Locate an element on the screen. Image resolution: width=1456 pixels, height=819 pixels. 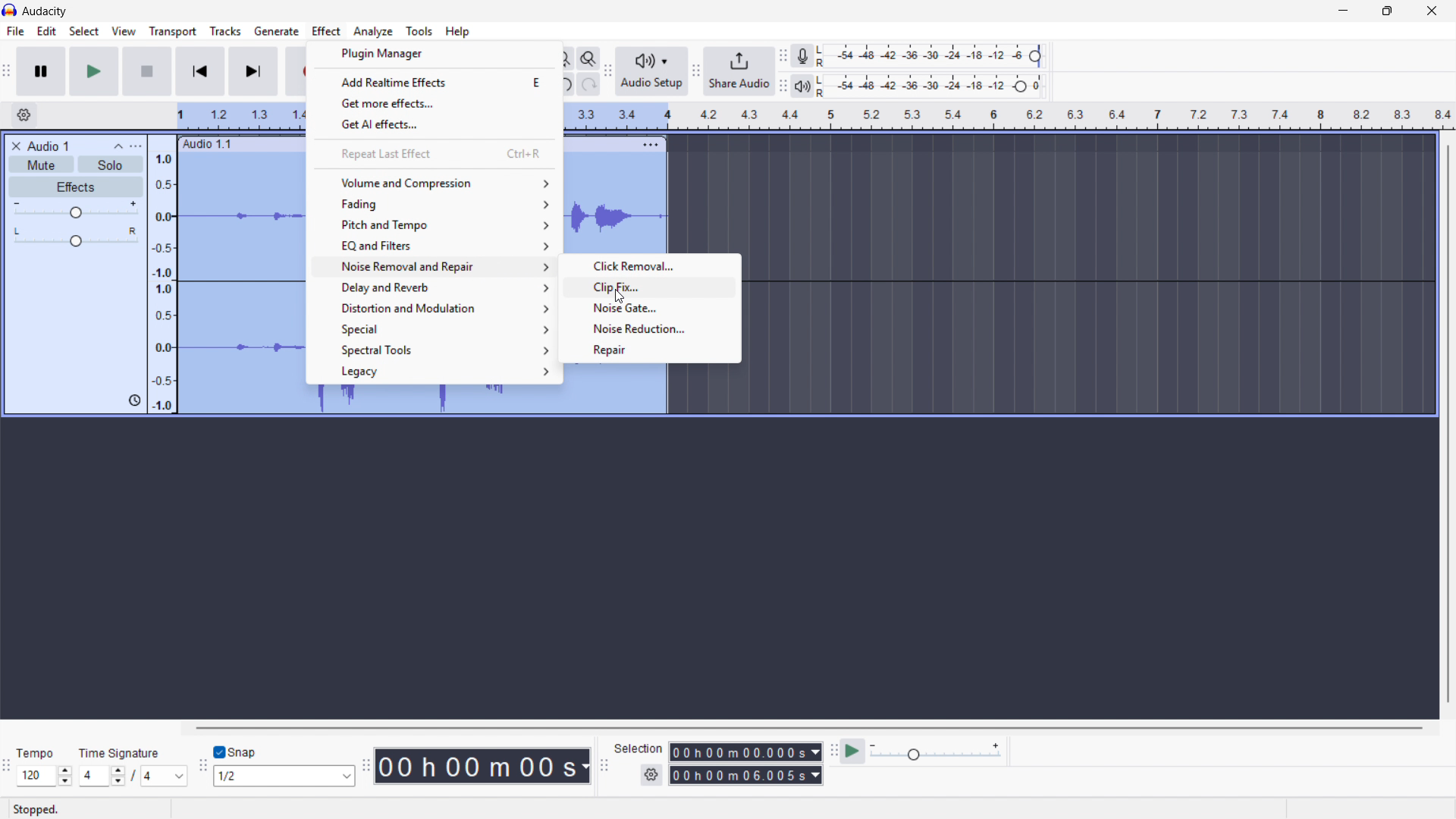
Recording level is located at coordinates (934, 56).